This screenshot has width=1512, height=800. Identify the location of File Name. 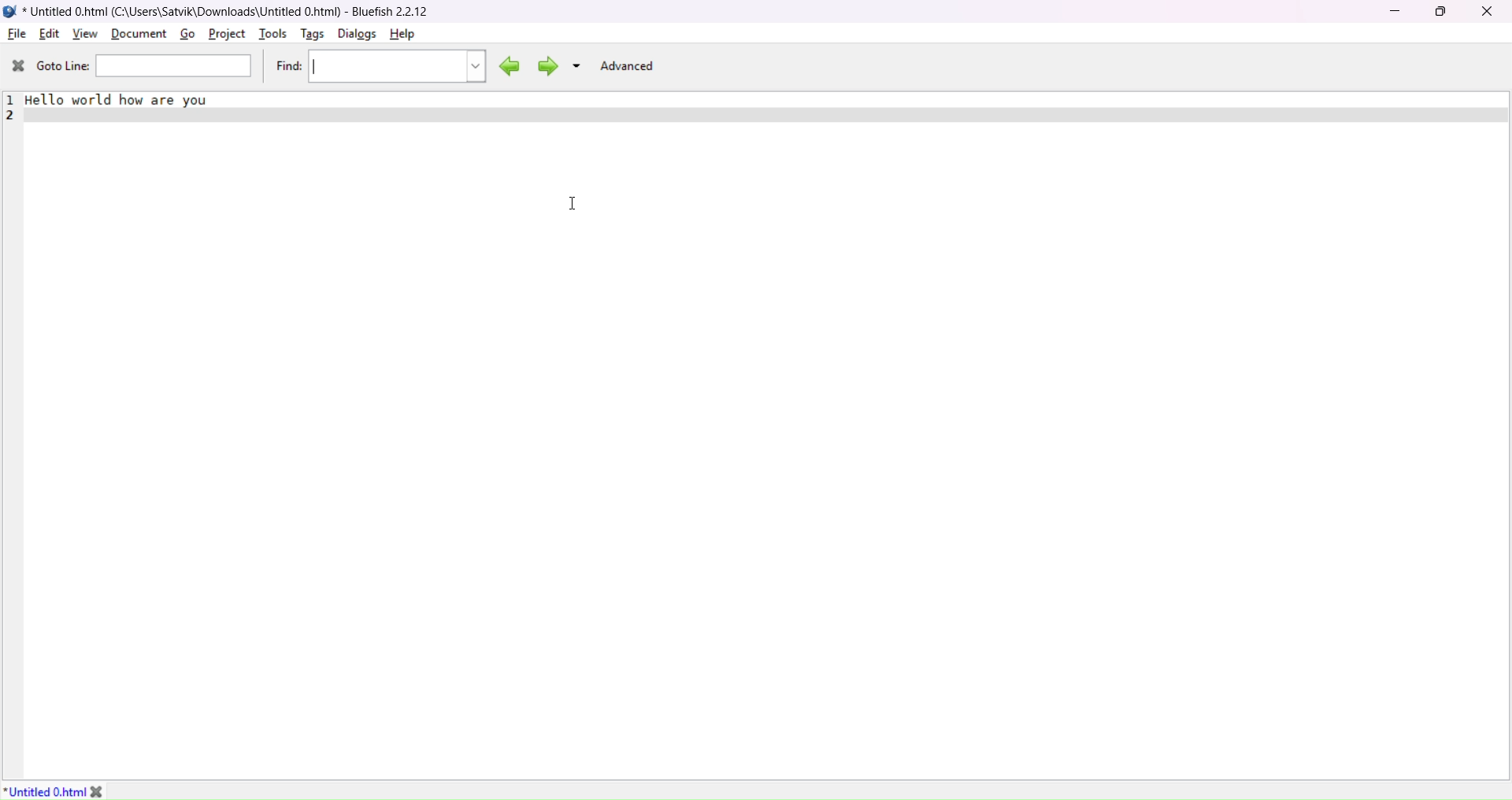
(44, 791).